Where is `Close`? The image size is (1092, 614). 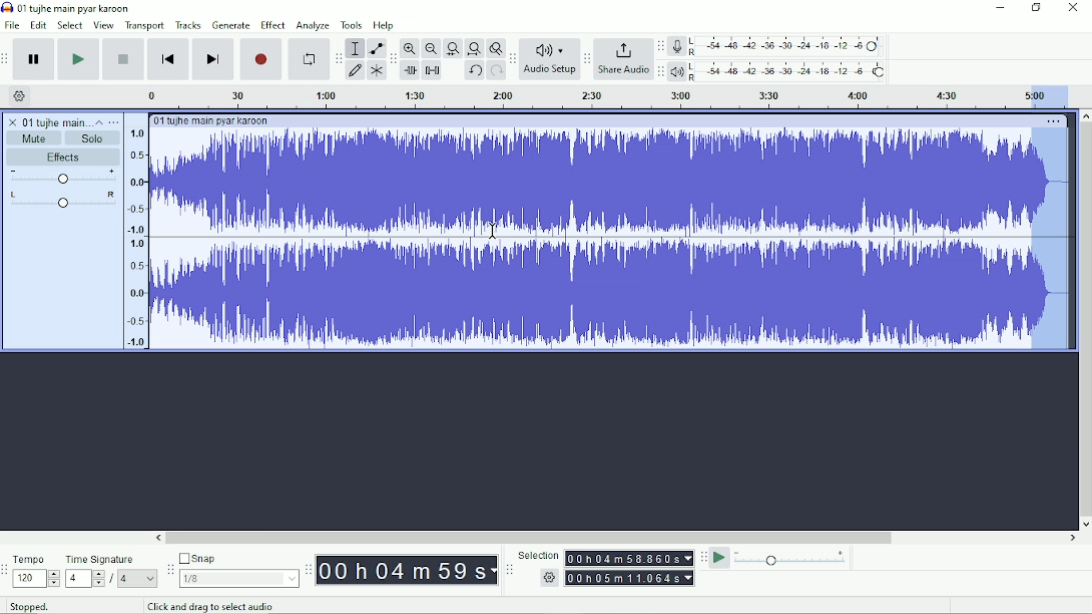 Close is located at coordinates (1074, 7).